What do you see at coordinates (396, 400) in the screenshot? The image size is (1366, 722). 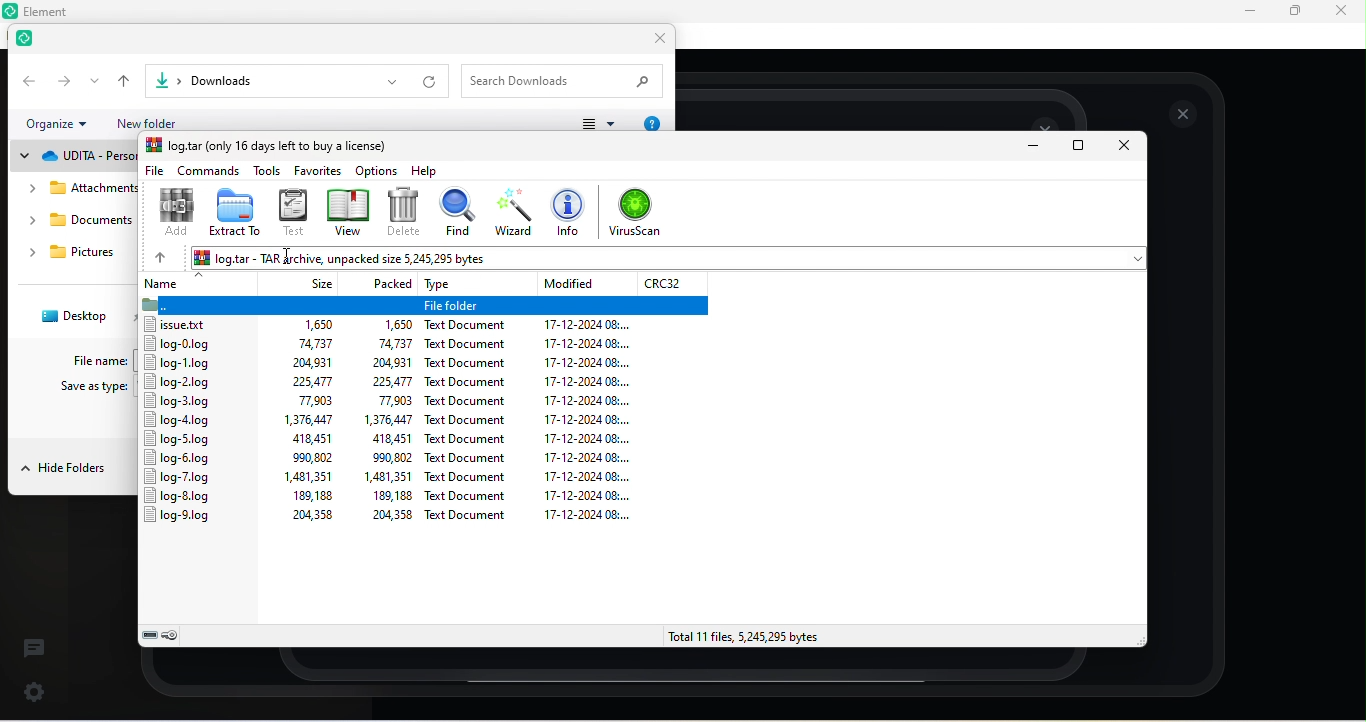 I see `77.903` at bounding box center [396, 400].